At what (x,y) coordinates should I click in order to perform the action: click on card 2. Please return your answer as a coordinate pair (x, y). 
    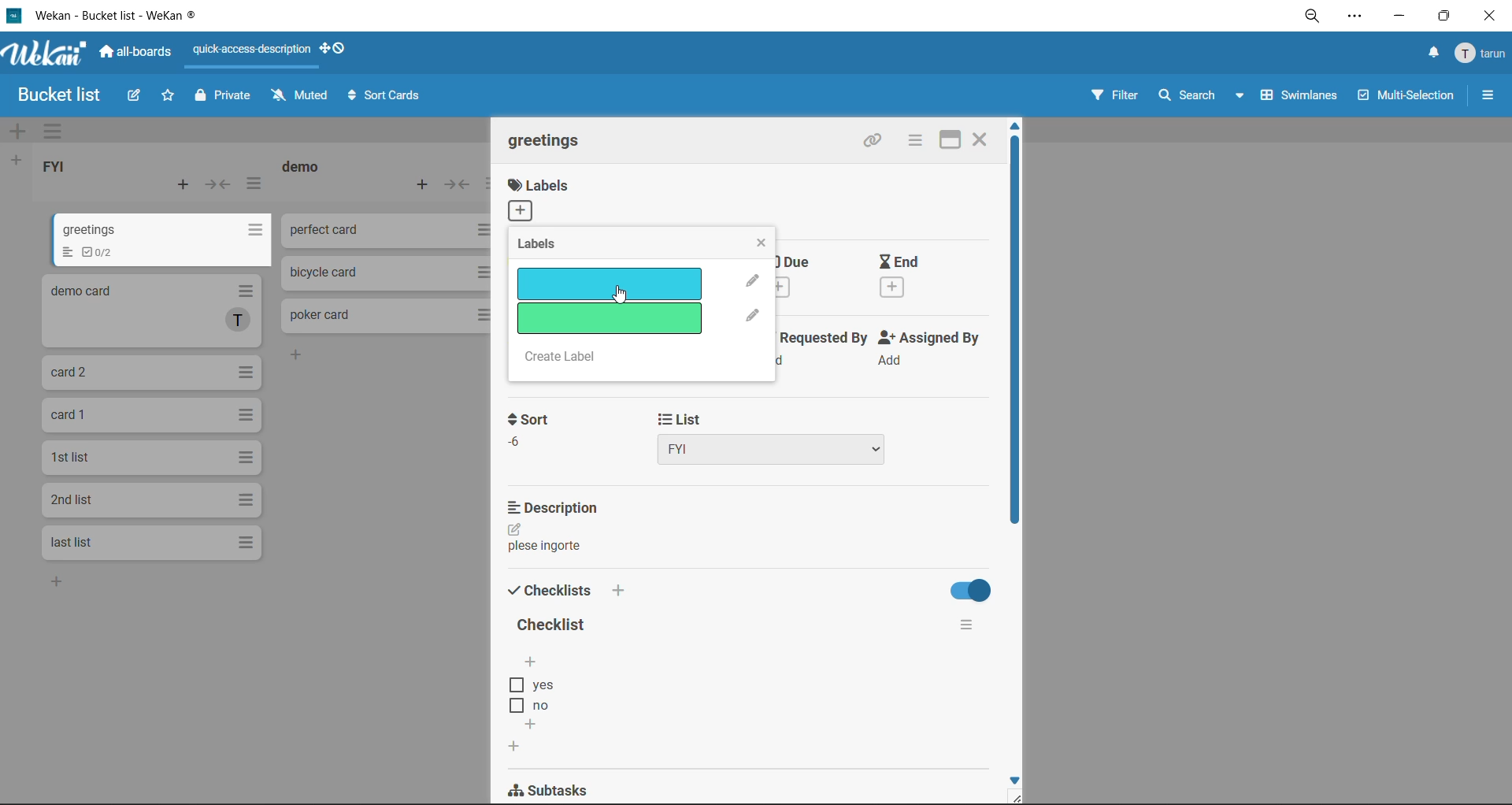
    Looking at the image, I should click on (150, 311).